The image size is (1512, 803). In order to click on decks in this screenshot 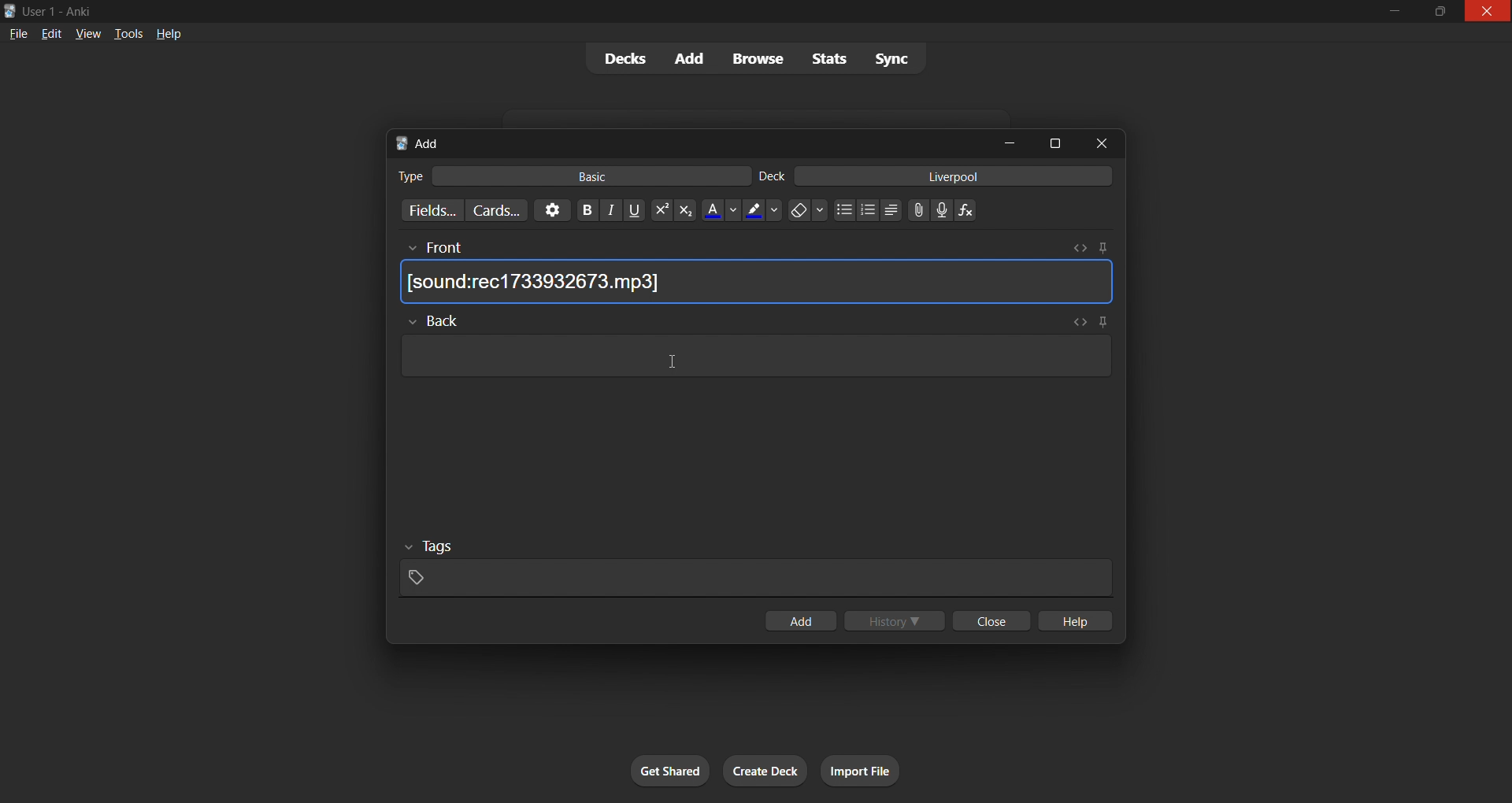, I will do `click(621, 59)`.